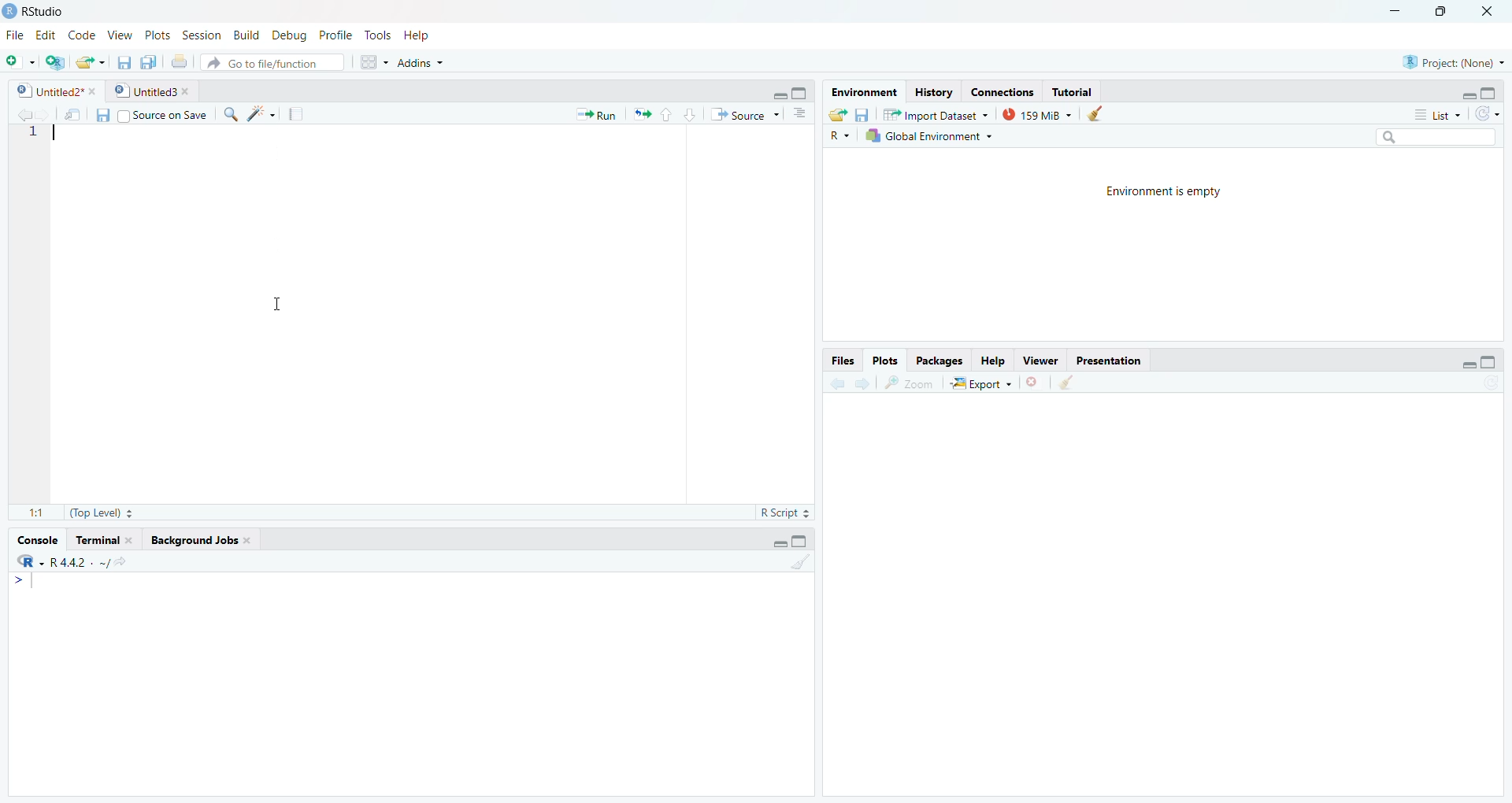 Image resolution: width=1512 pixels, height=803 pixels. What do you see at coordinates (1437, 115) in the screenshot?
I see `List ` at bounding box center [1437, 115].